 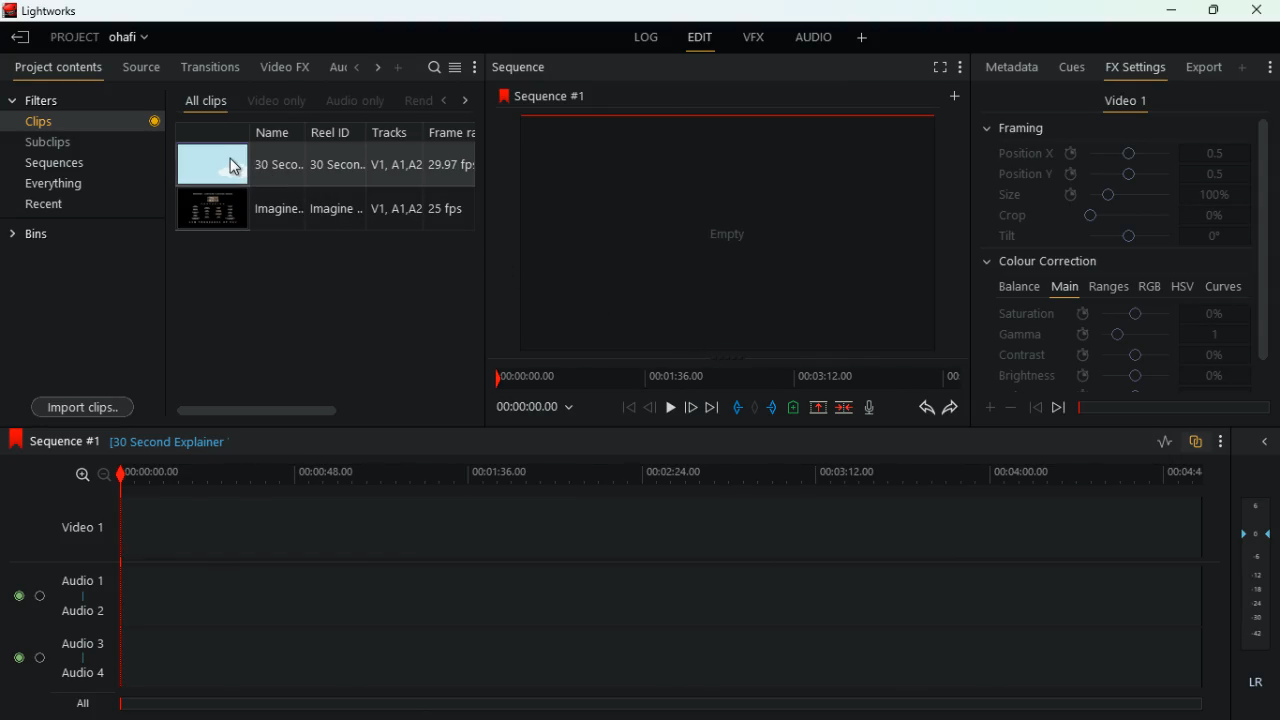 I want to click on sequences, so click(x=78, y=163).